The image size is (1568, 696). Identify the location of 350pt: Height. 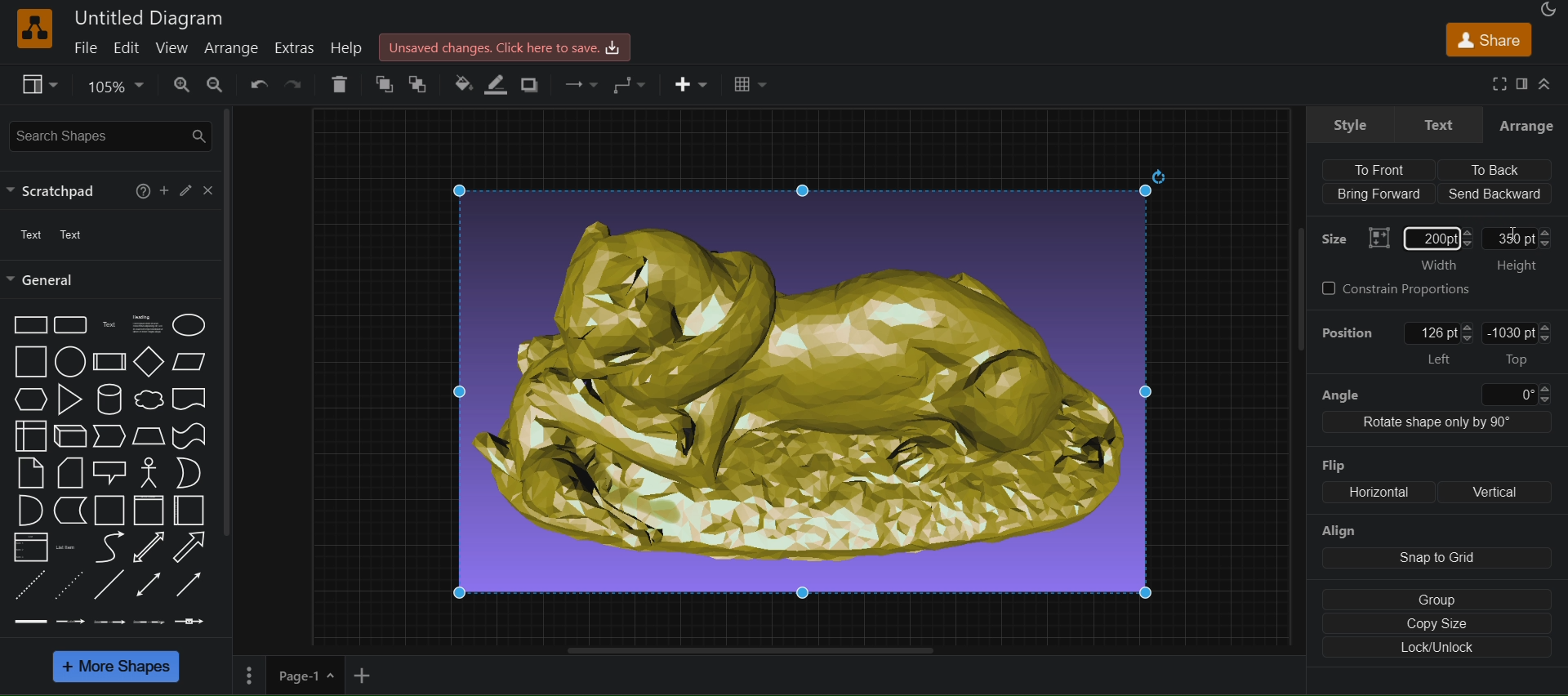
(1522, 236).